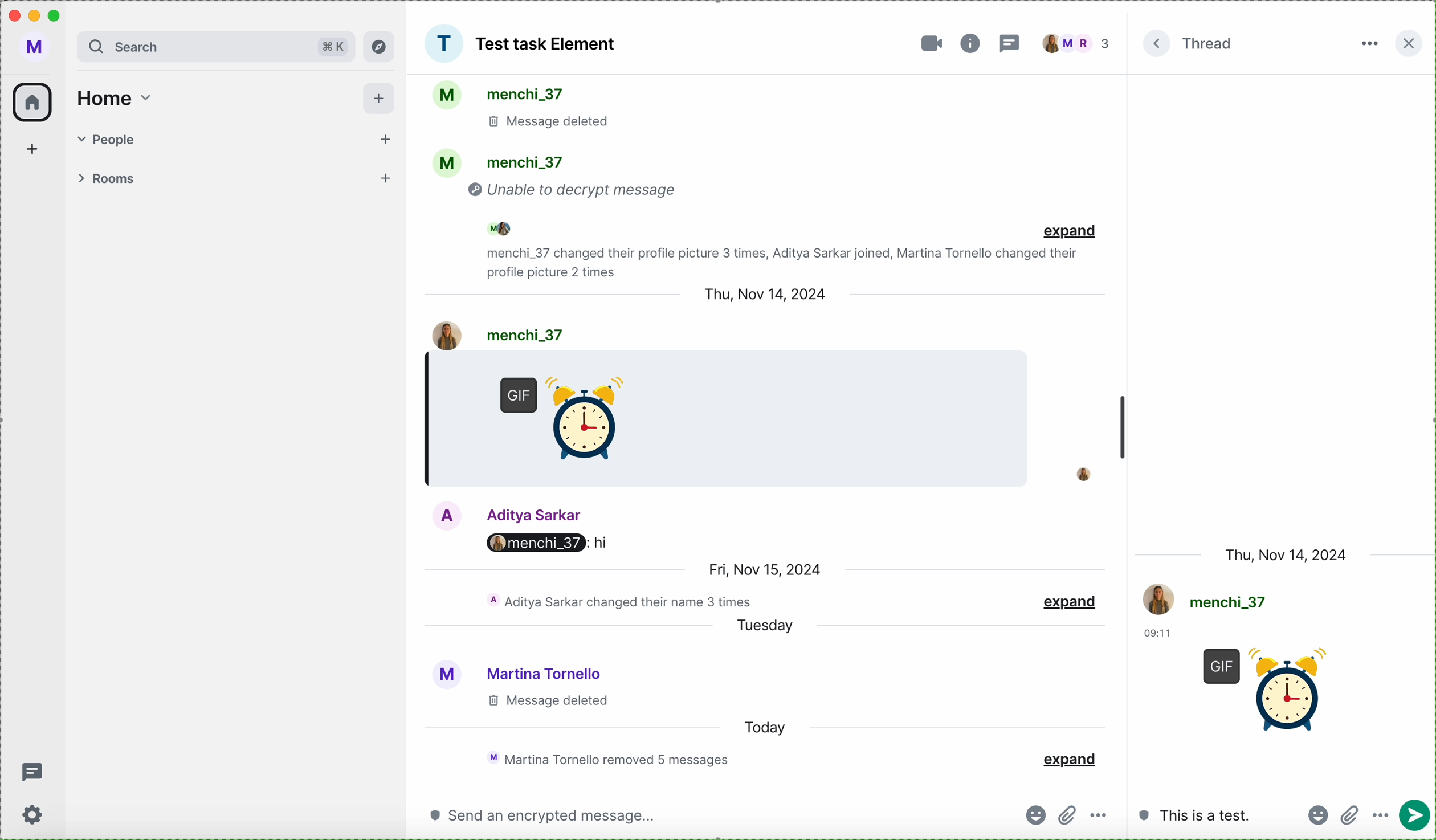 The width and height of the screenshot is (1436, 840). I want to click on user, so click(515, 671).